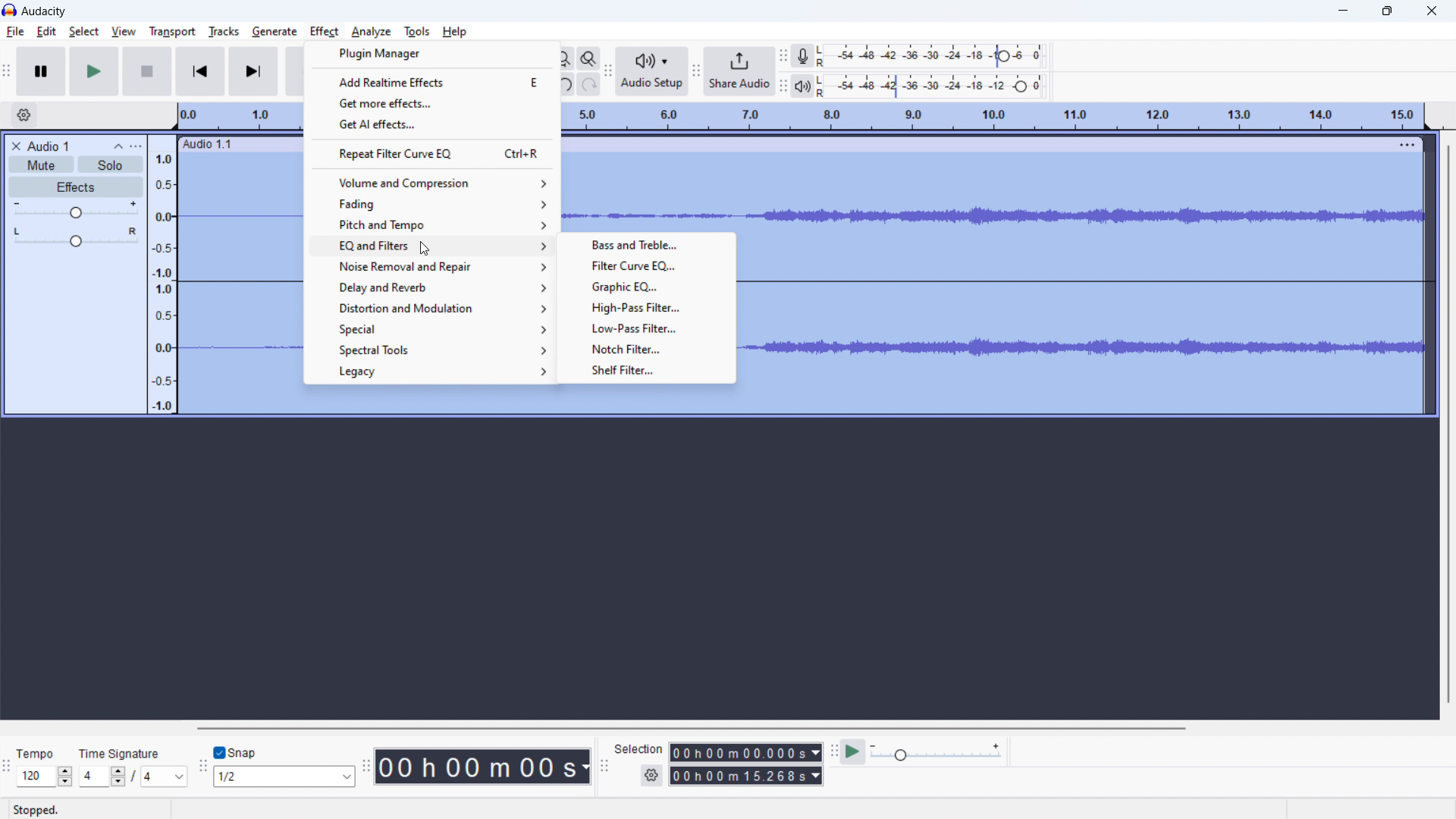  Describe the element at coordinates (646, 244) in the screenshot. I see `bass and treble` at that location.